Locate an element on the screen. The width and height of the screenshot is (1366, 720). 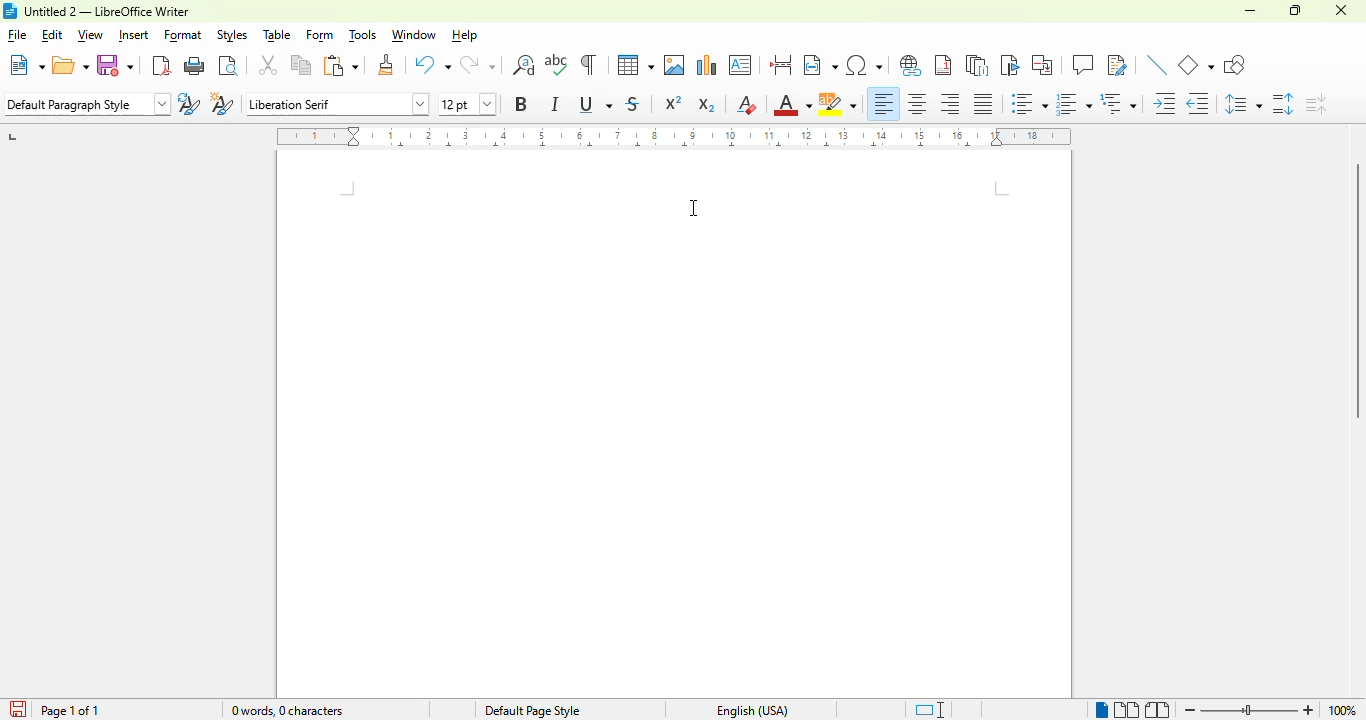
copy is located at coordinates (301, 65).